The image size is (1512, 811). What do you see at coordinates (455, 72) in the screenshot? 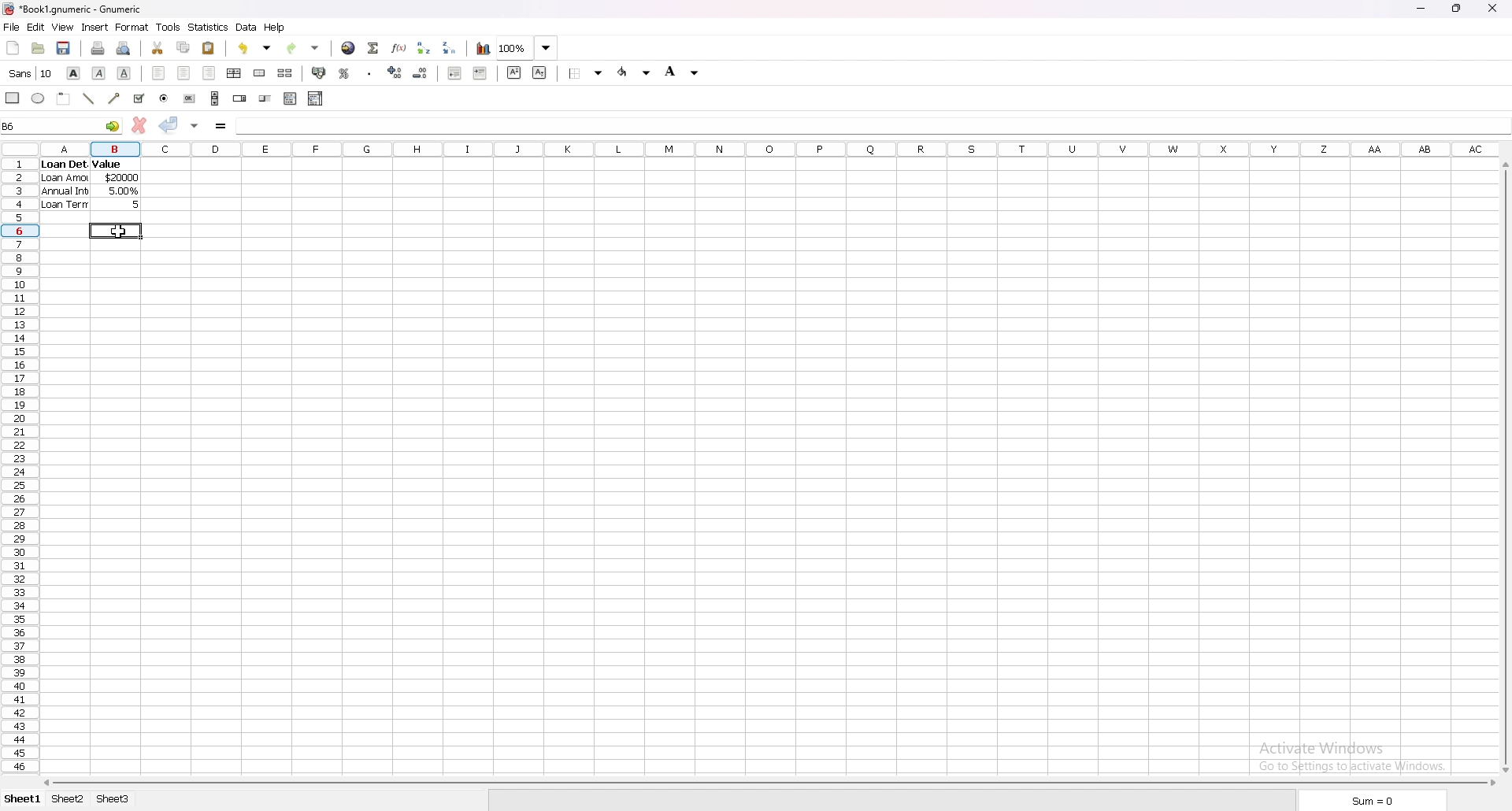
I see `decrease indent` at bounding box center [455, 72].